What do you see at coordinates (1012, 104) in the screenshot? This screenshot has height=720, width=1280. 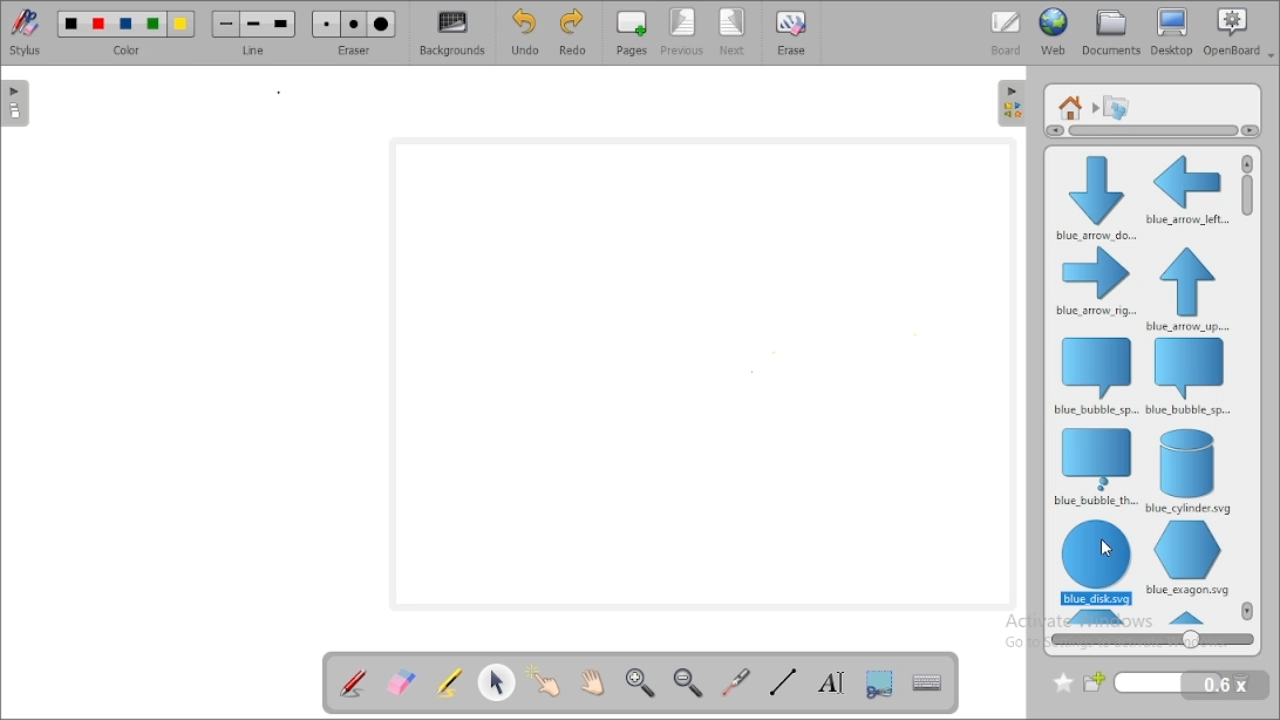 I see `sidebar settings` at bounding box center [1012, 104].